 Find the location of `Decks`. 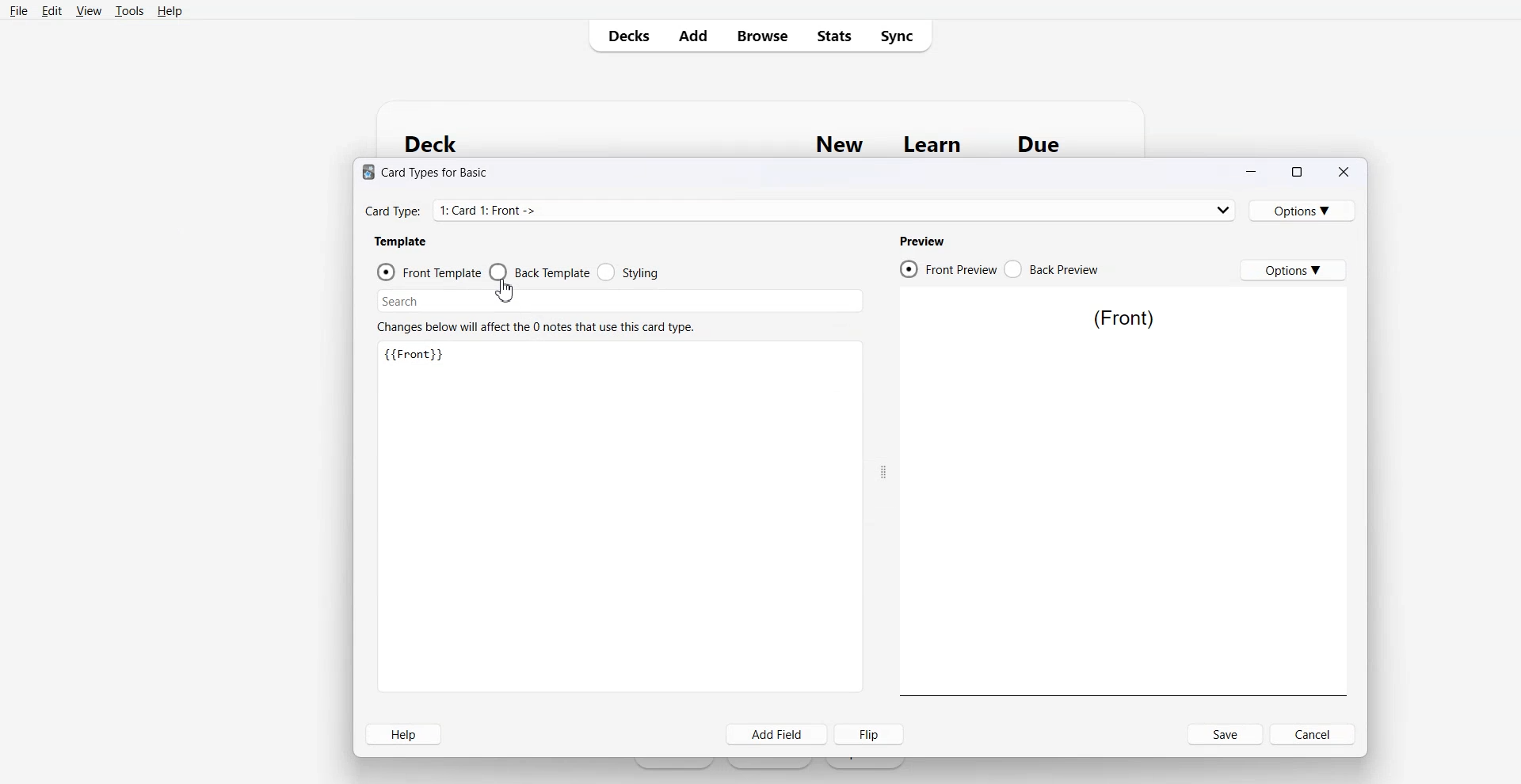

Decks is located at coordinates (623, 36).